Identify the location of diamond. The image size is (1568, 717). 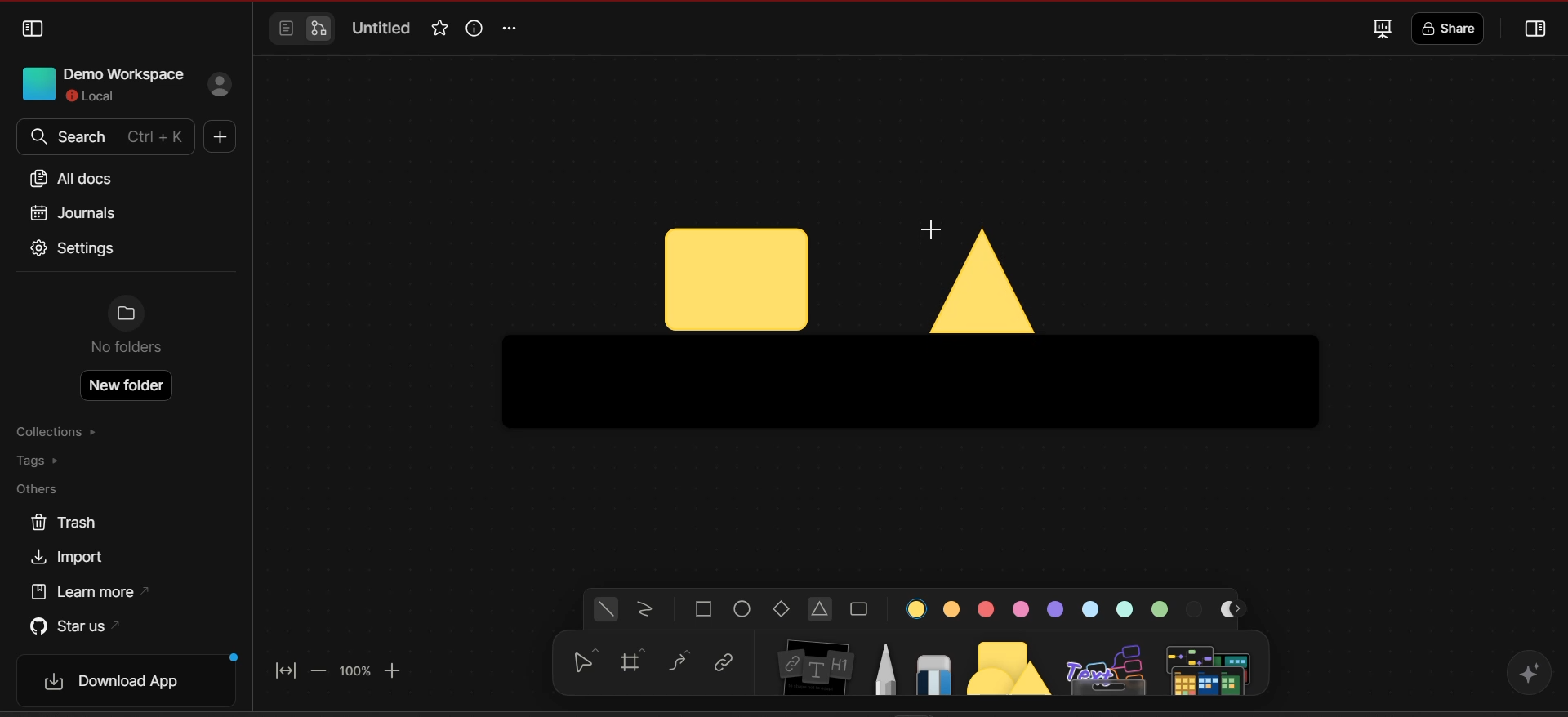
(784, 611).